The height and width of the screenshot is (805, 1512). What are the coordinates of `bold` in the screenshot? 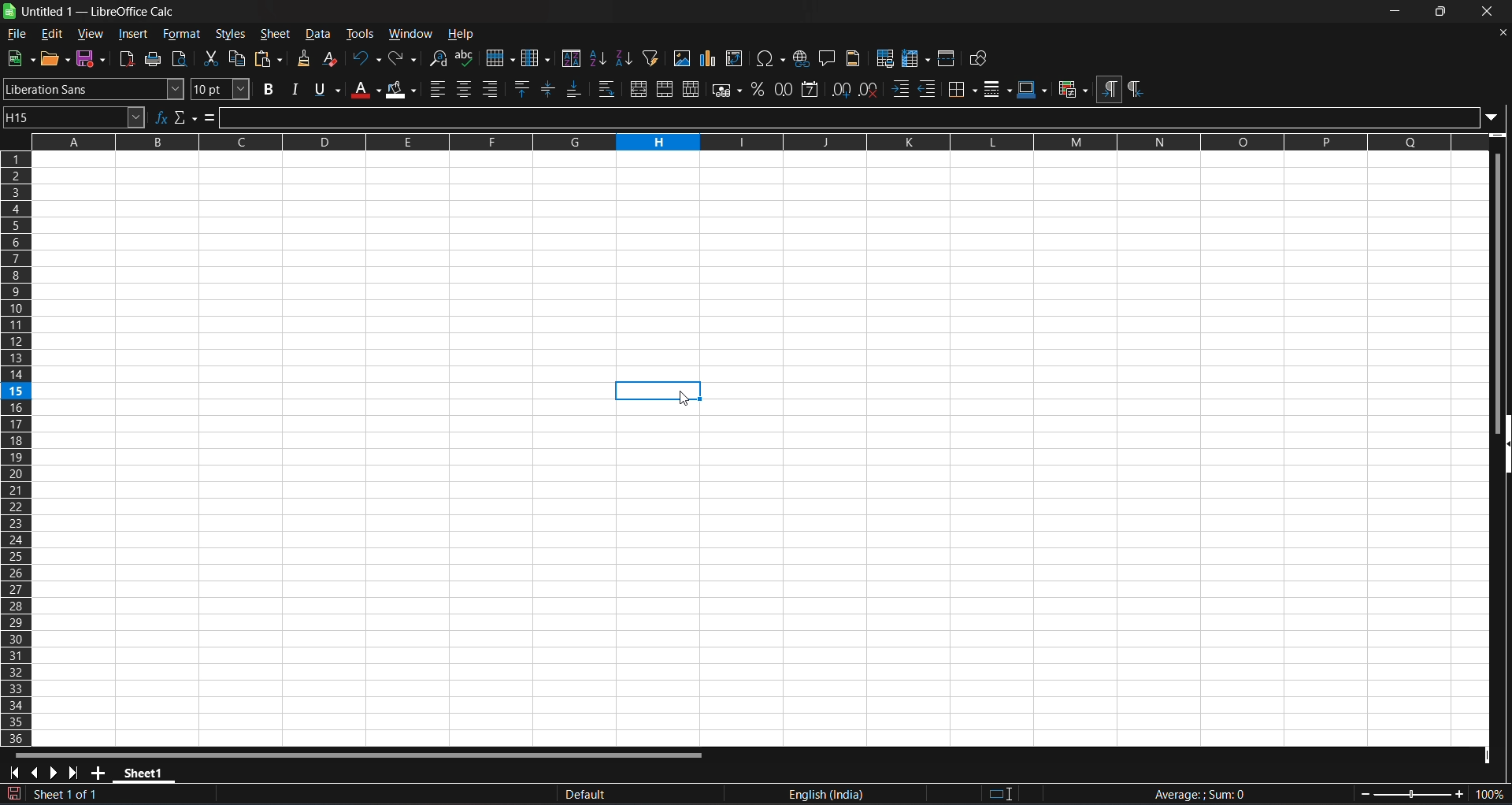 It's located at (269, 91).